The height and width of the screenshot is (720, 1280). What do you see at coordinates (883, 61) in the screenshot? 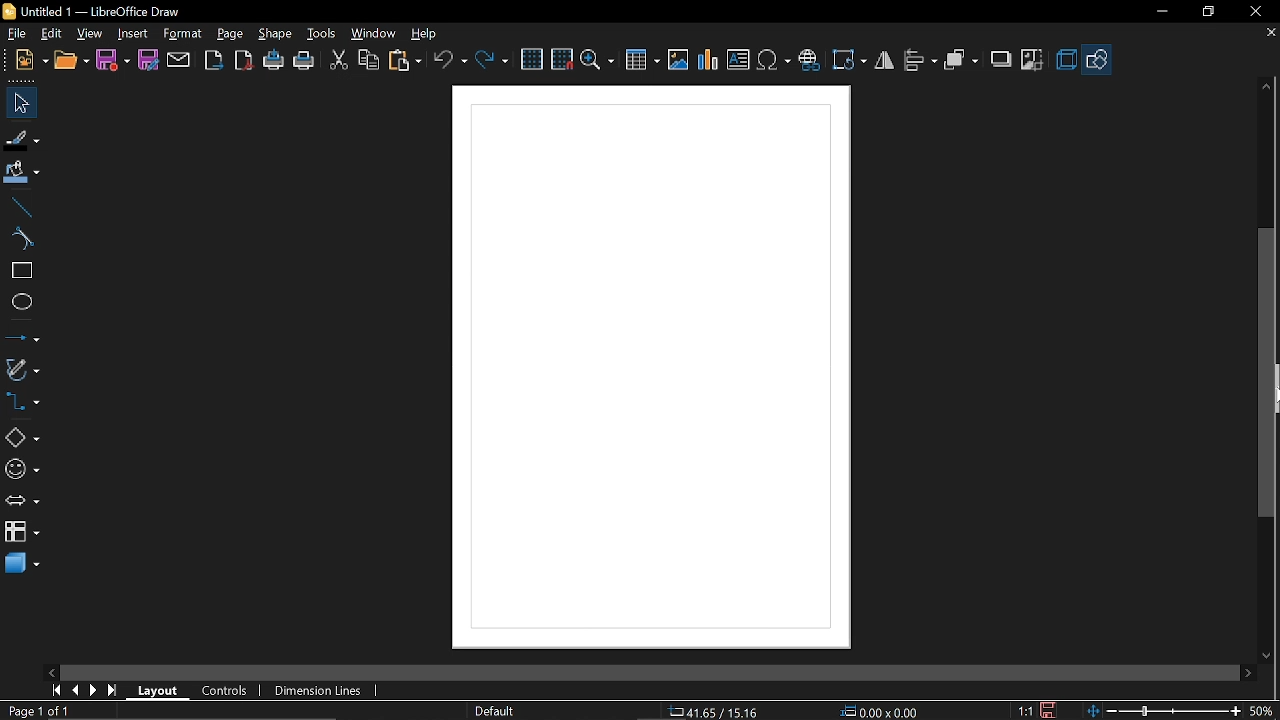
I see `Flip` at bounding box center [883, 61].